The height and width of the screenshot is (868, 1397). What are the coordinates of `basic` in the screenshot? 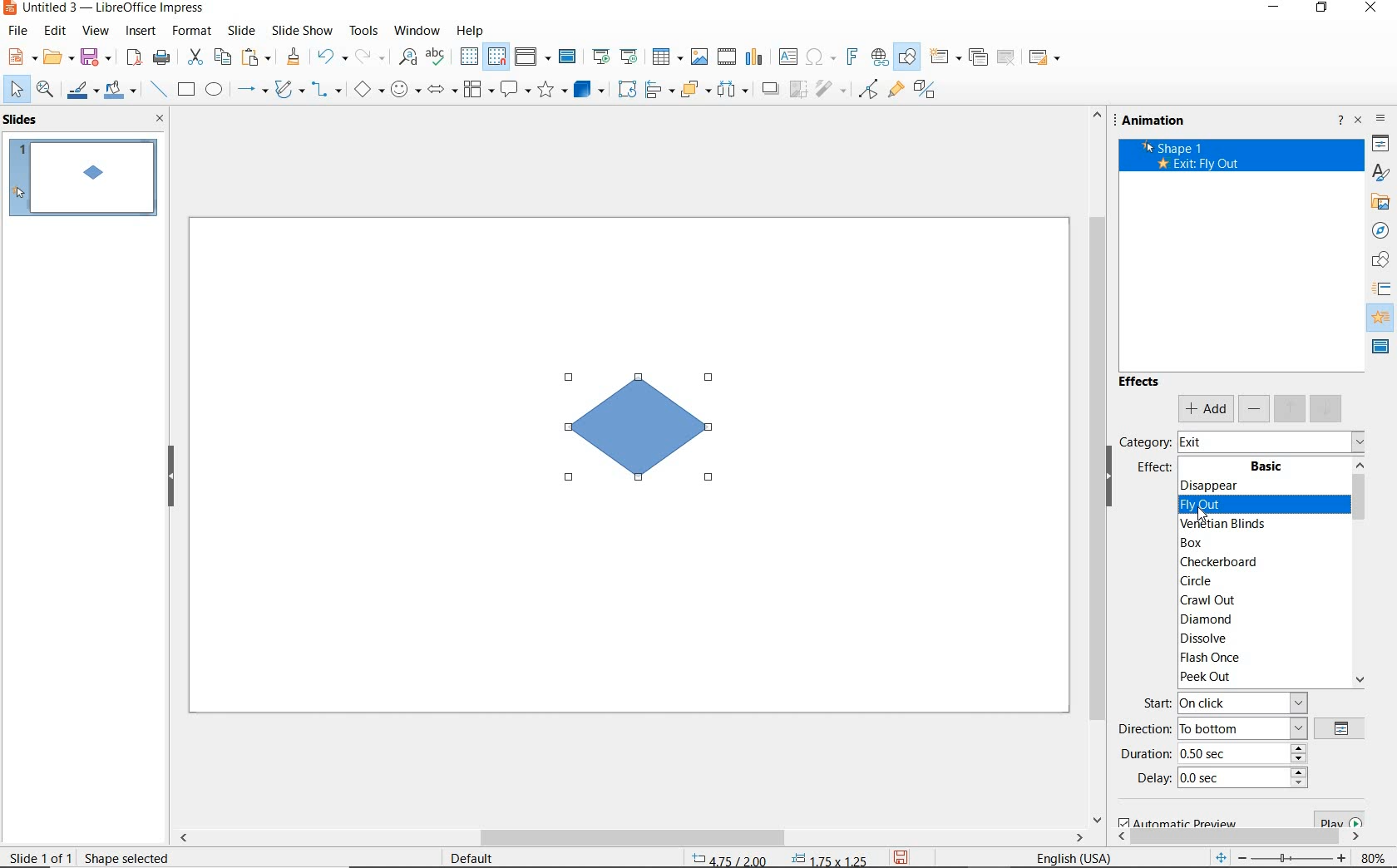 It's located at (1265, 466).